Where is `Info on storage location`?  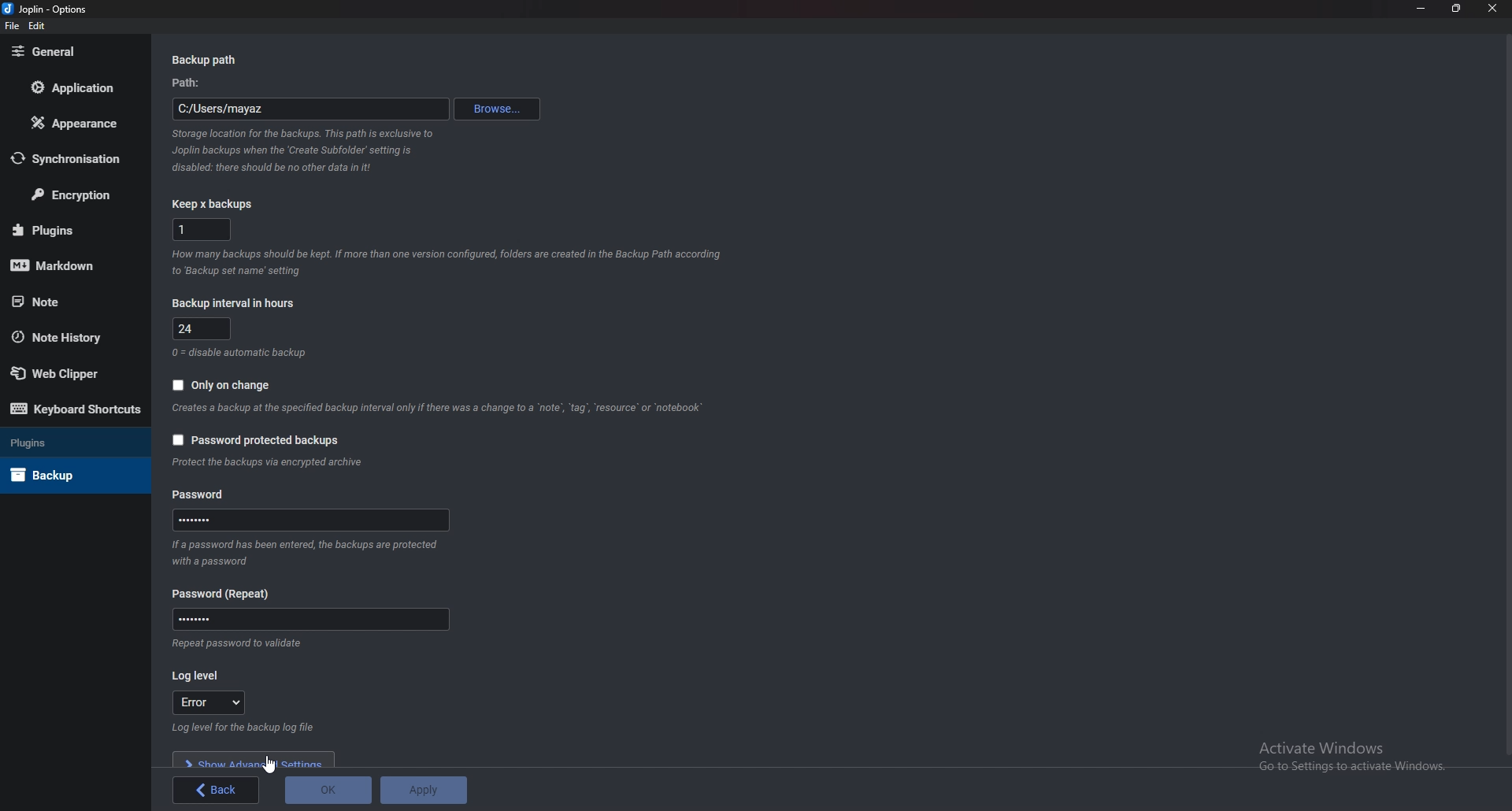
Info on storage location is located at coordinates (300, 152).